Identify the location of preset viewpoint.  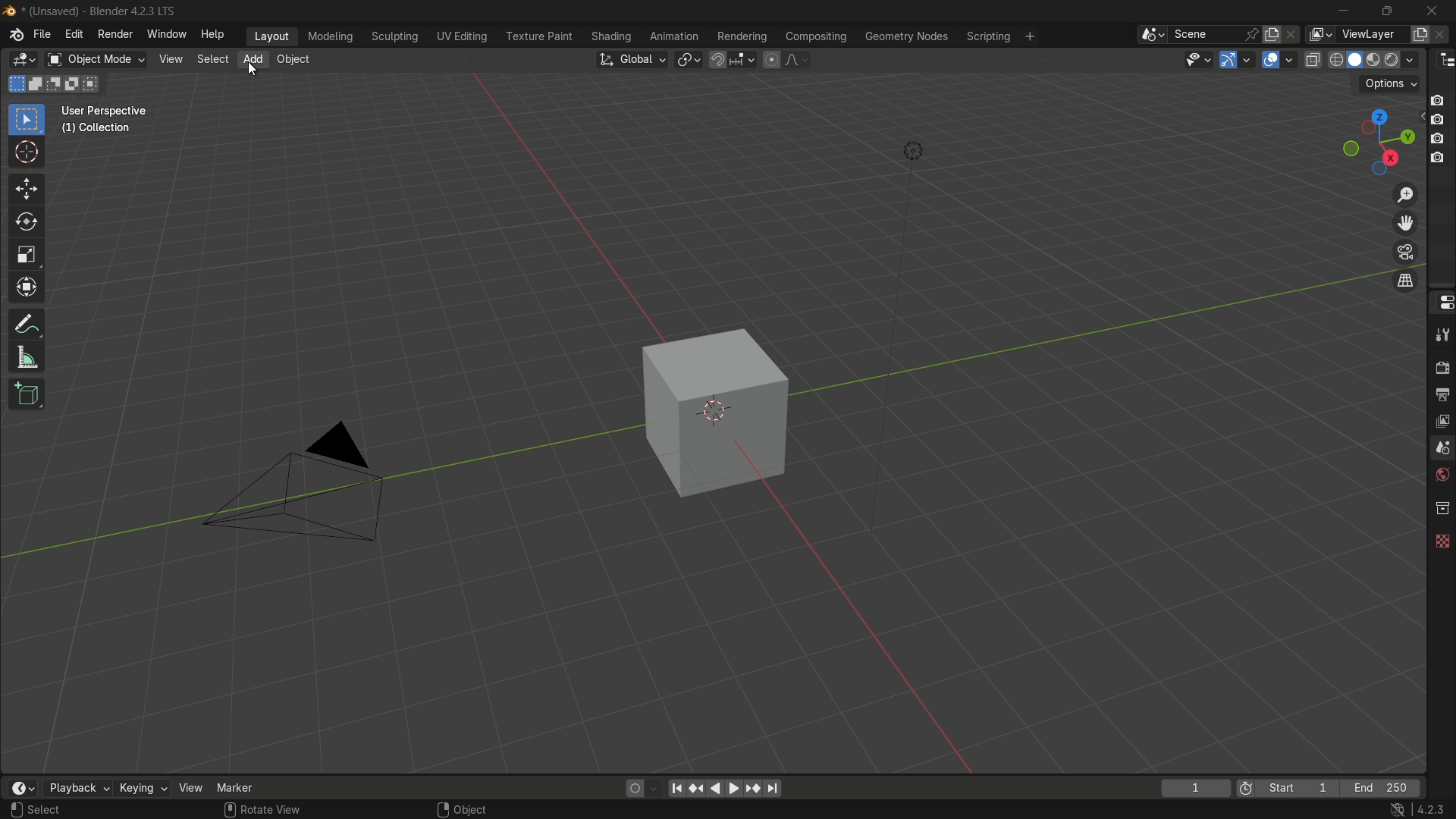
(1378, 143).